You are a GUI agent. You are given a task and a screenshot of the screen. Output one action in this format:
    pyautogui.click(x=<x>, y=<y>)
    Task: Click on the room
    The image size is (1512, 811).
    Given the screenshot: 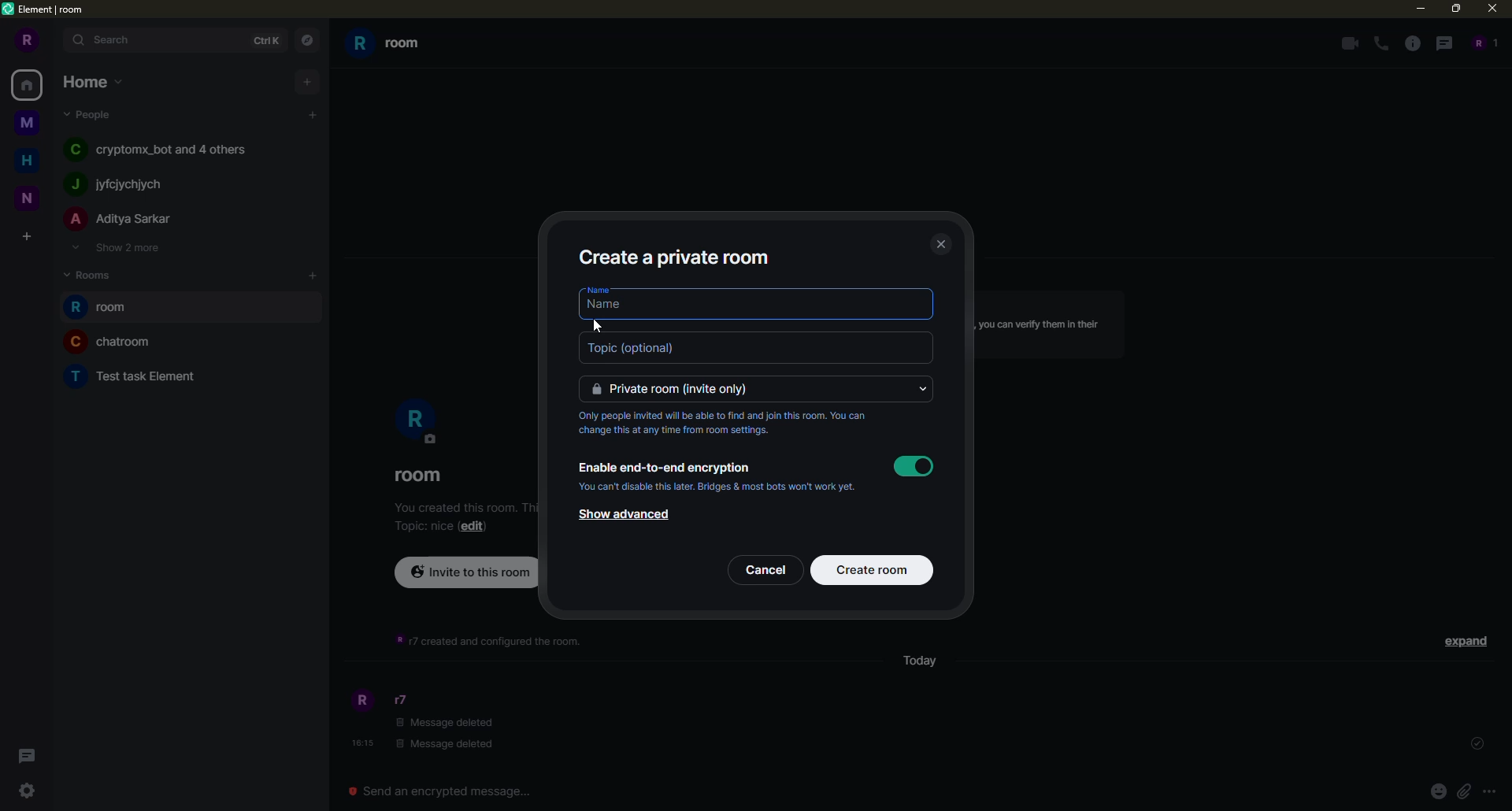 What is the action you would take?
    pyautogui.click(x=394, y=46)
    